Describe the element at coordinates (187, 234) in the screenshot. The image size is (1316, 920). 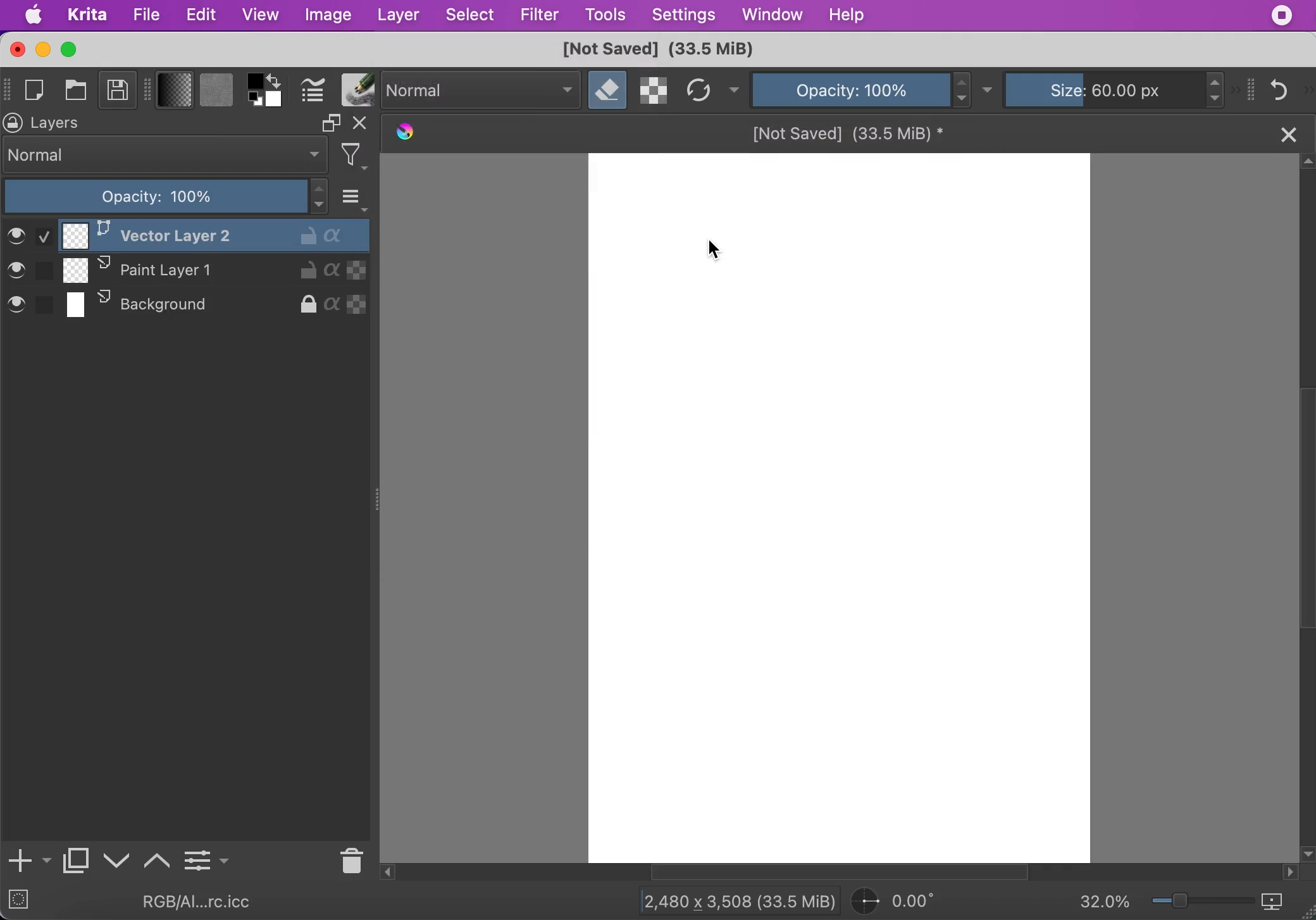
I see `vector layer 2` at that location.